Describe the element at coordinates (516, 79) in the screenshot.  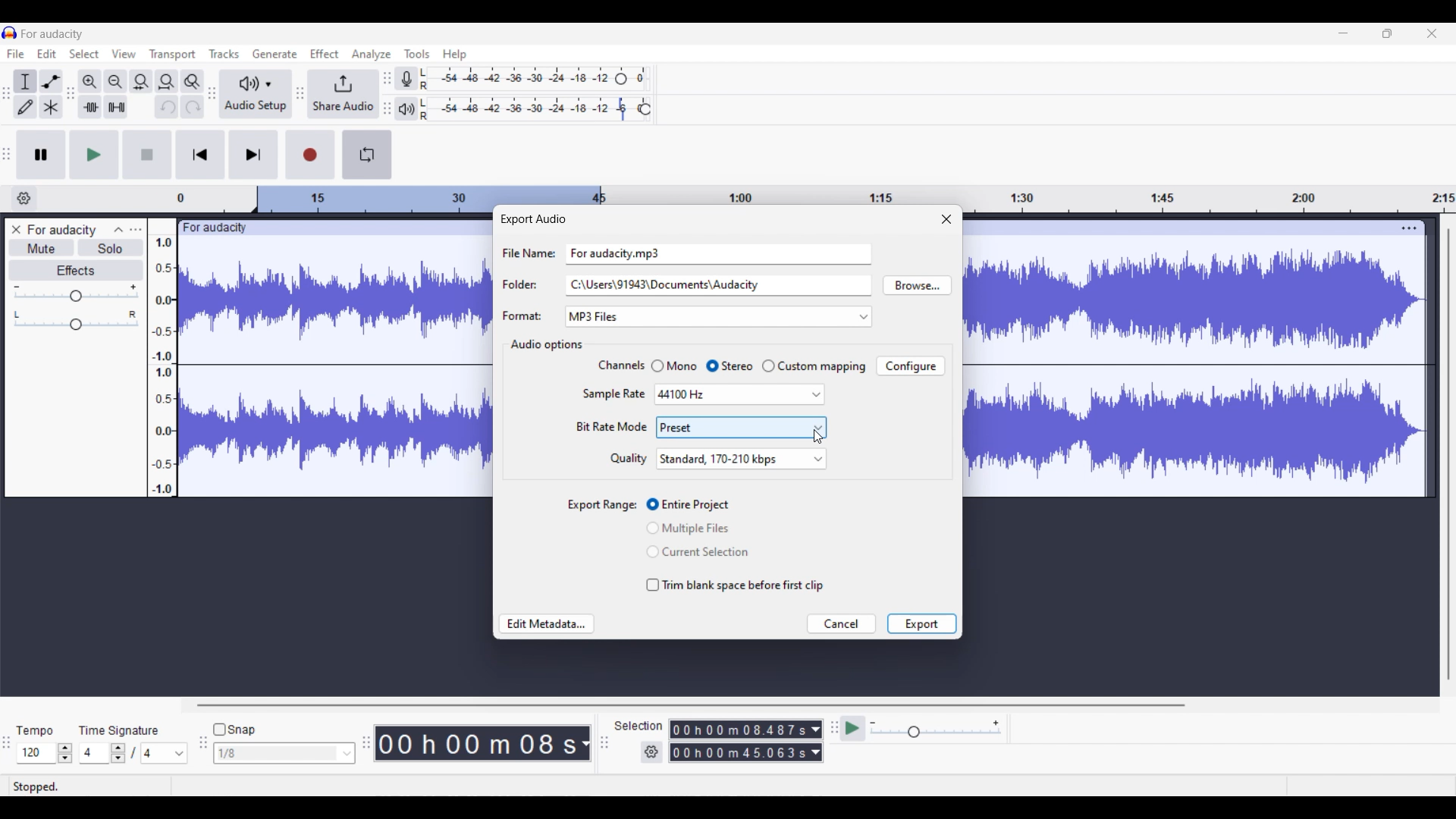
I see `Recording level` at that location.